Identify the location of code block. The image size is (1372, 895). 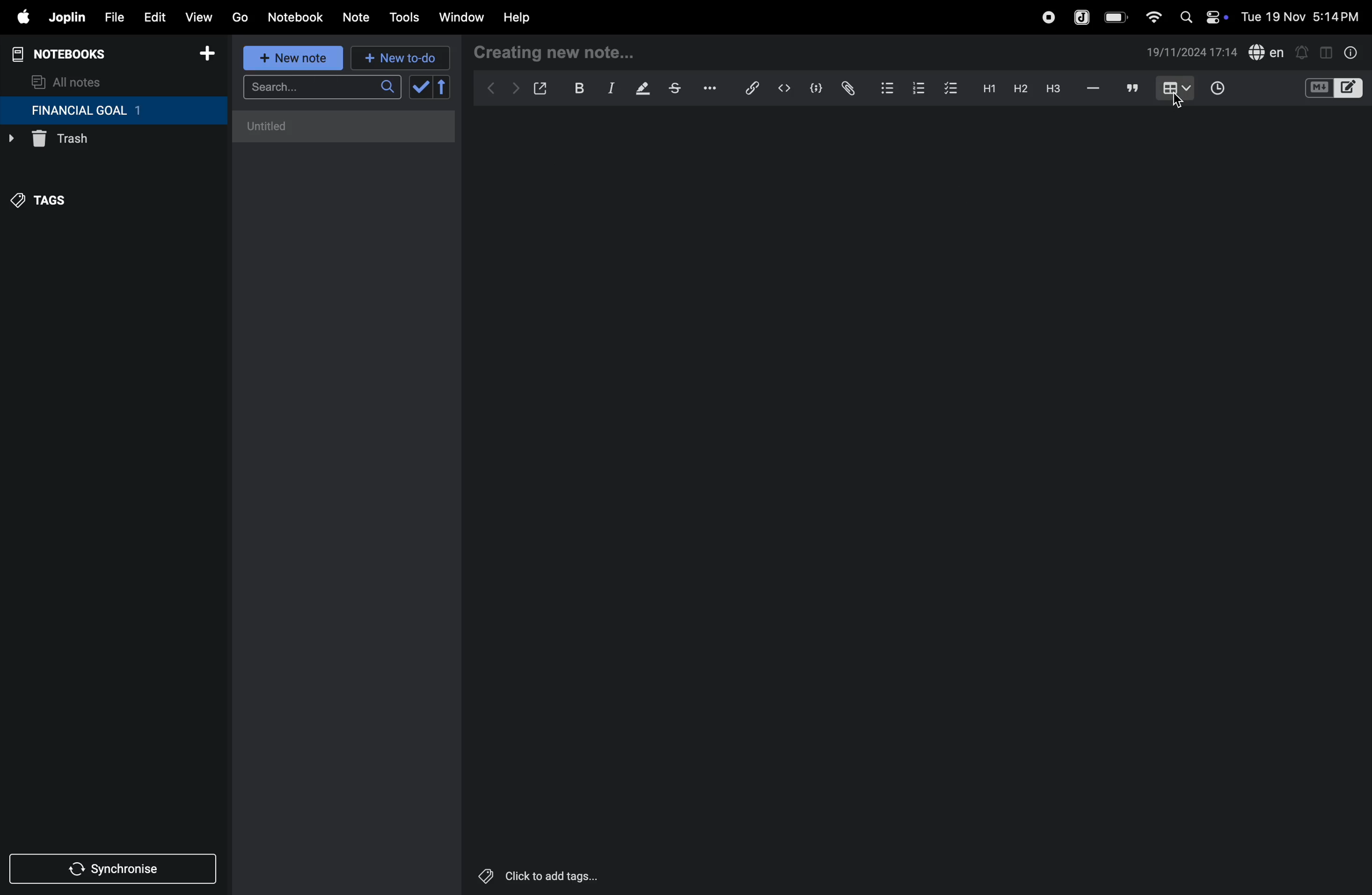
(812, 88).